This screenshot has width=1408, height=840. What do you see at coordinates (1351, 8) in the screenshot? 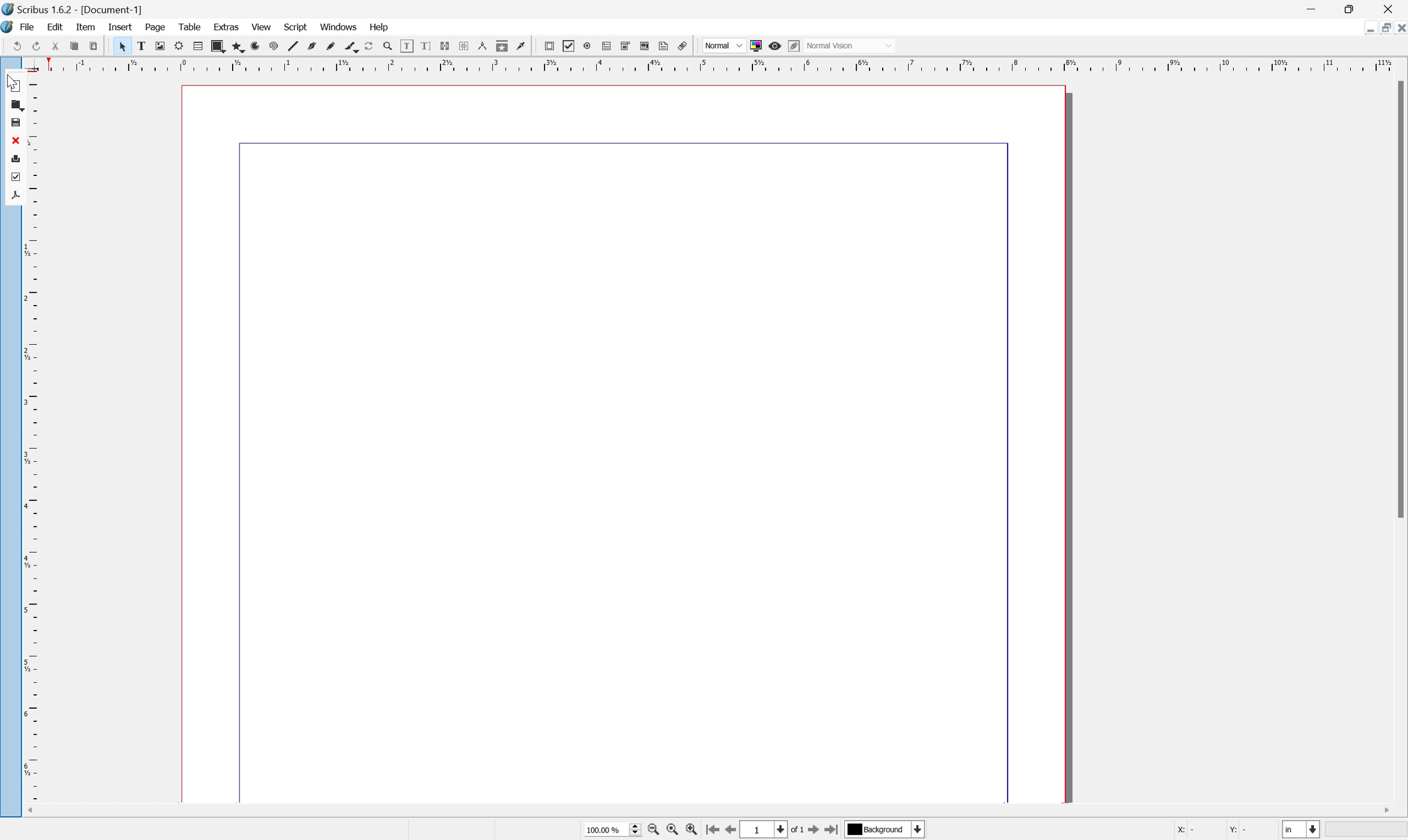
I see `restore down` at bounding box center [1351, 8].